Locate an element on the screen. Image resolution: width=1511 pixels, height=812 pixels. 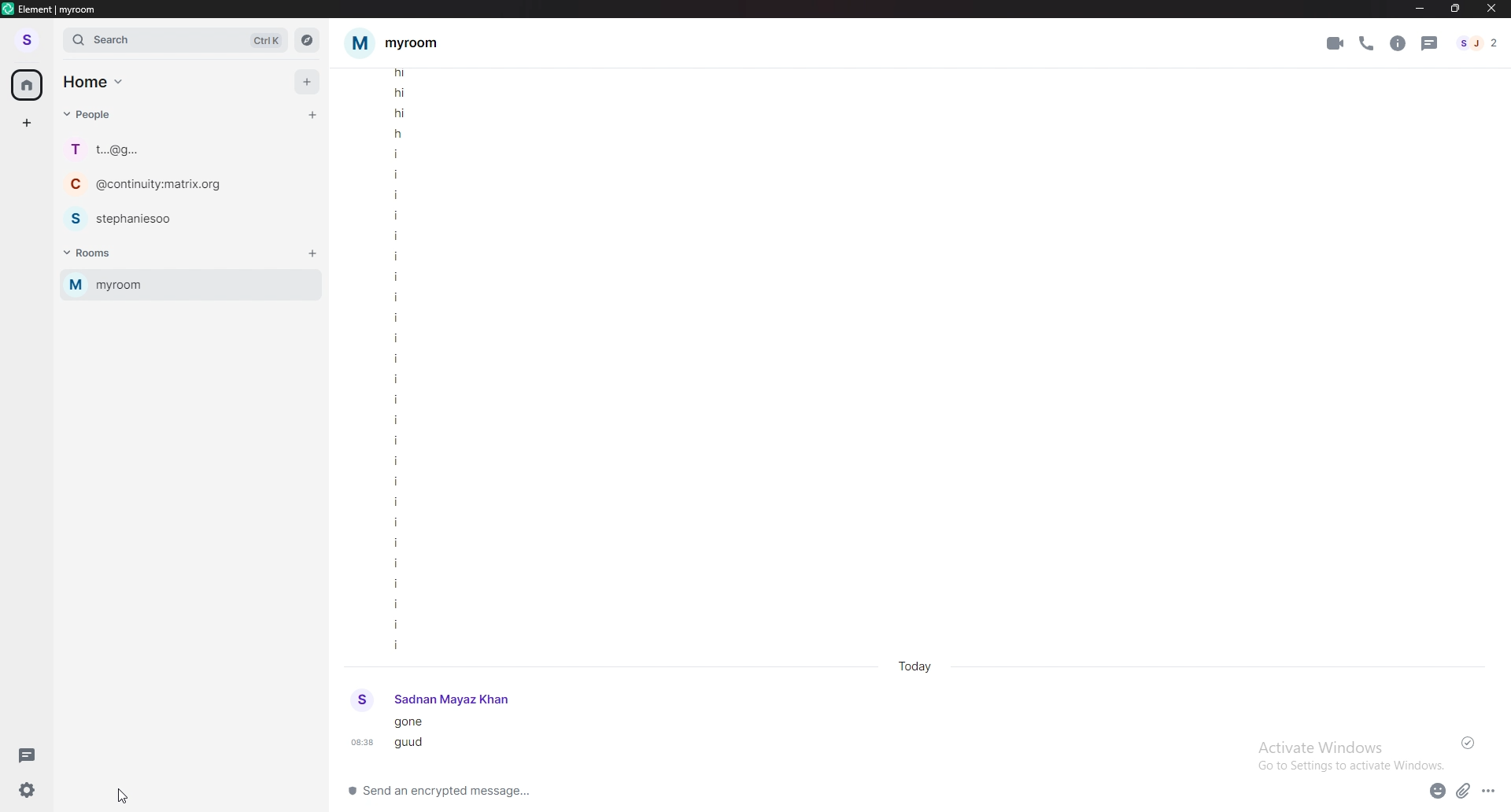
rooms is located at coordinates (95, 254).